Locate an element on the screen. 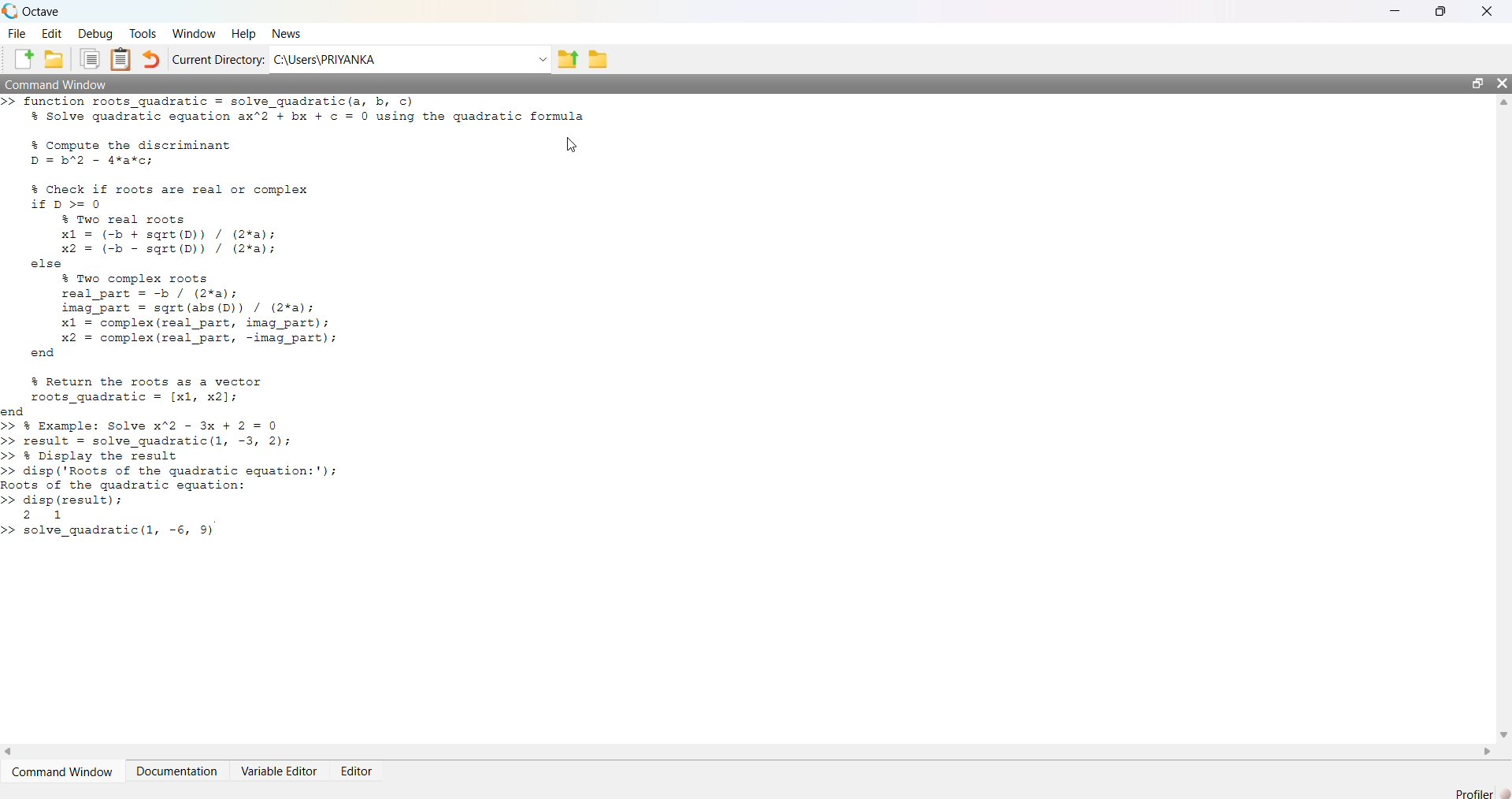 The image size is (1512, 799). Left is located at coordinates (9, 753).